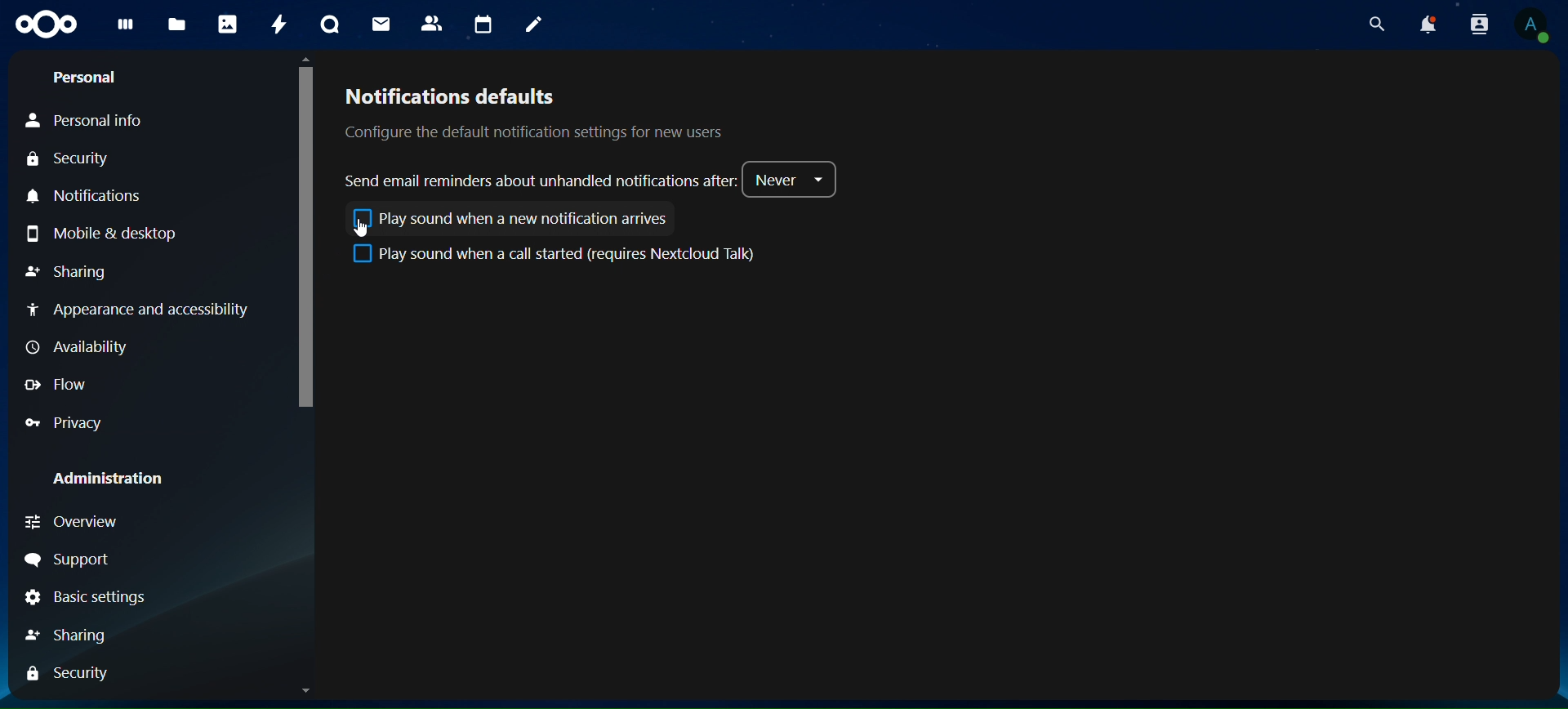  Describe the element at coordinates (149, 311) in the screenshot. I see `Appearance and accessibility` at that location.